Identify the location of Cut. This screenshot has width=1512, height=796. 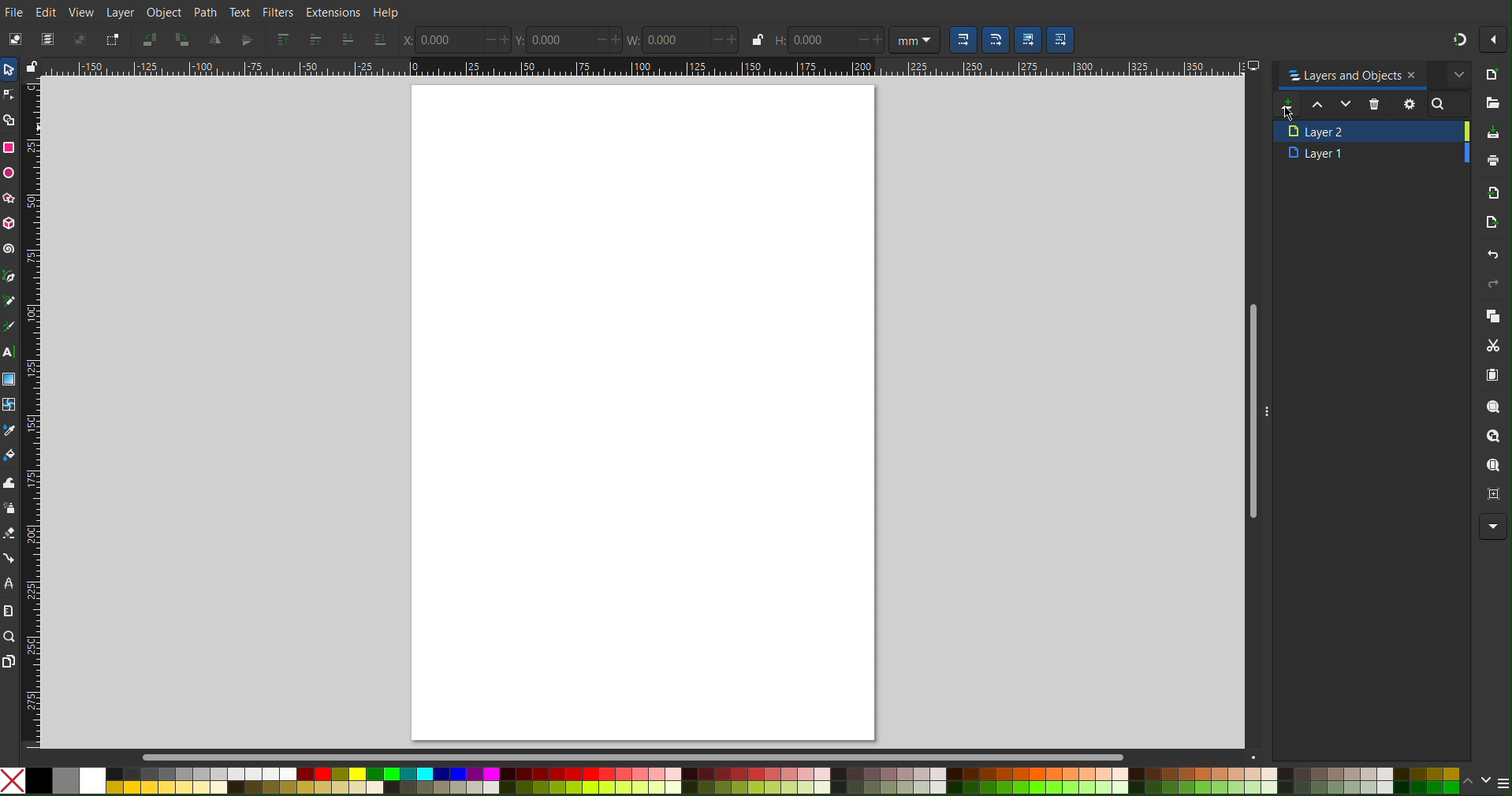
(1489, 345).